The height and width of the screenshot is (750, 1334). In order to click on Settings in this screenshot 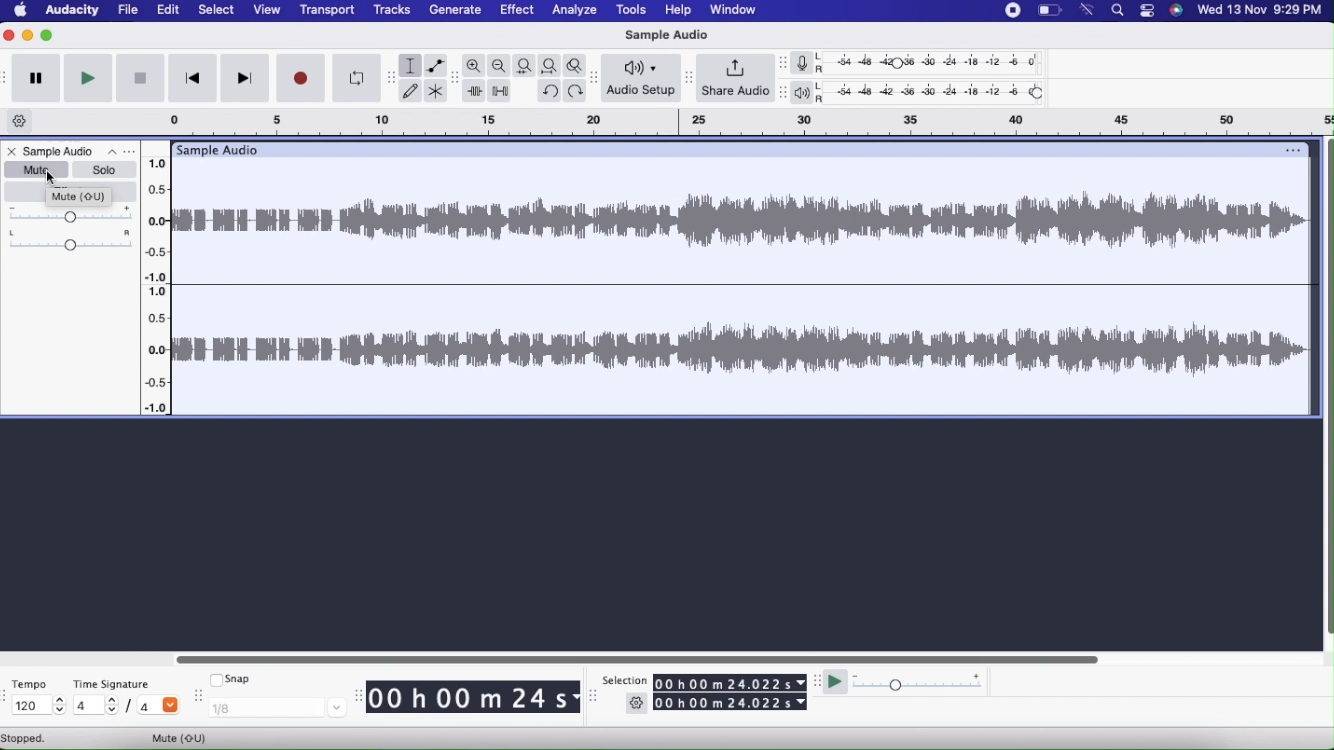, I will do `click(637, 705)`.